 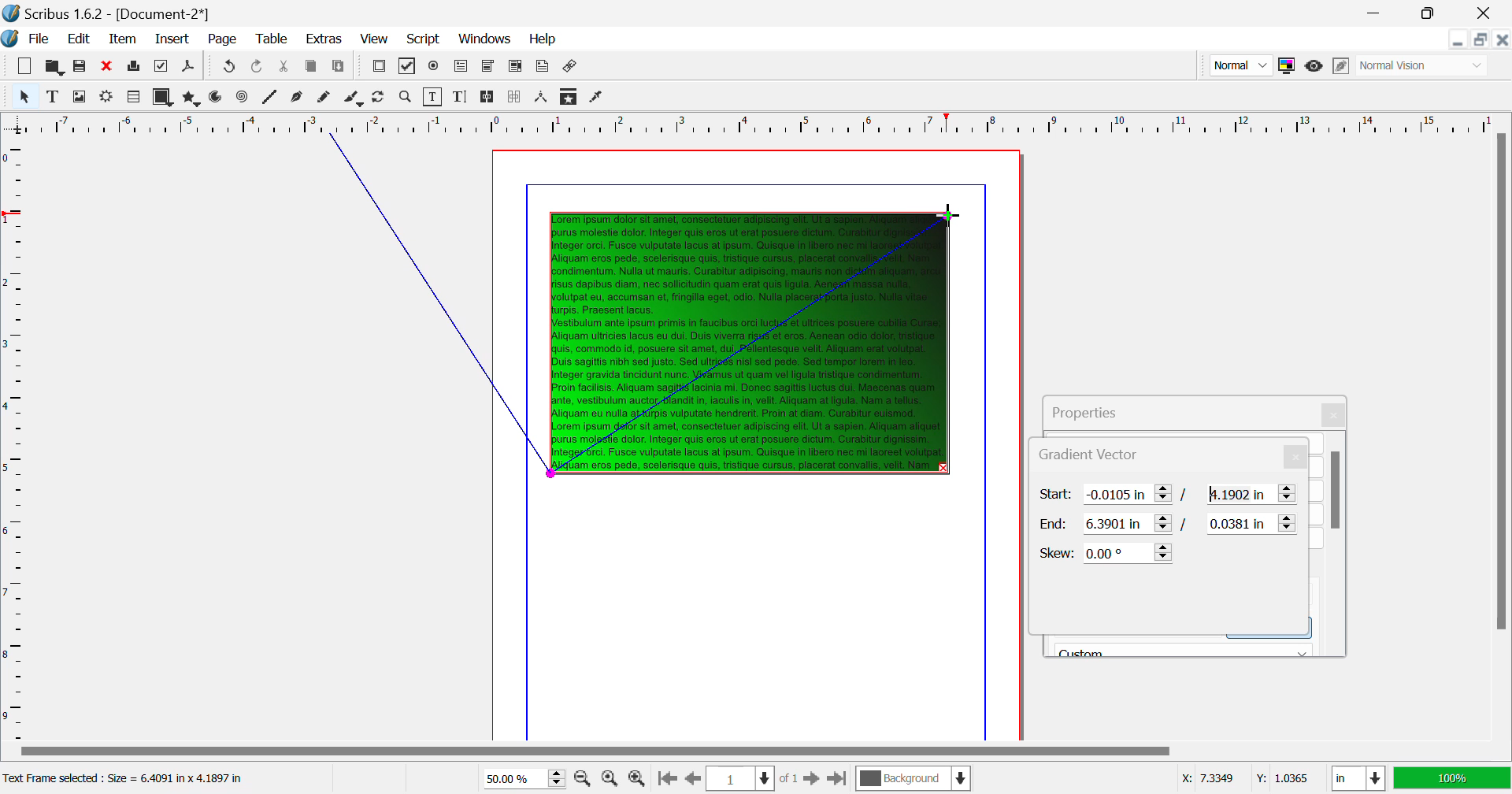 I want to click on Spiral, so click(x=242, y=98).